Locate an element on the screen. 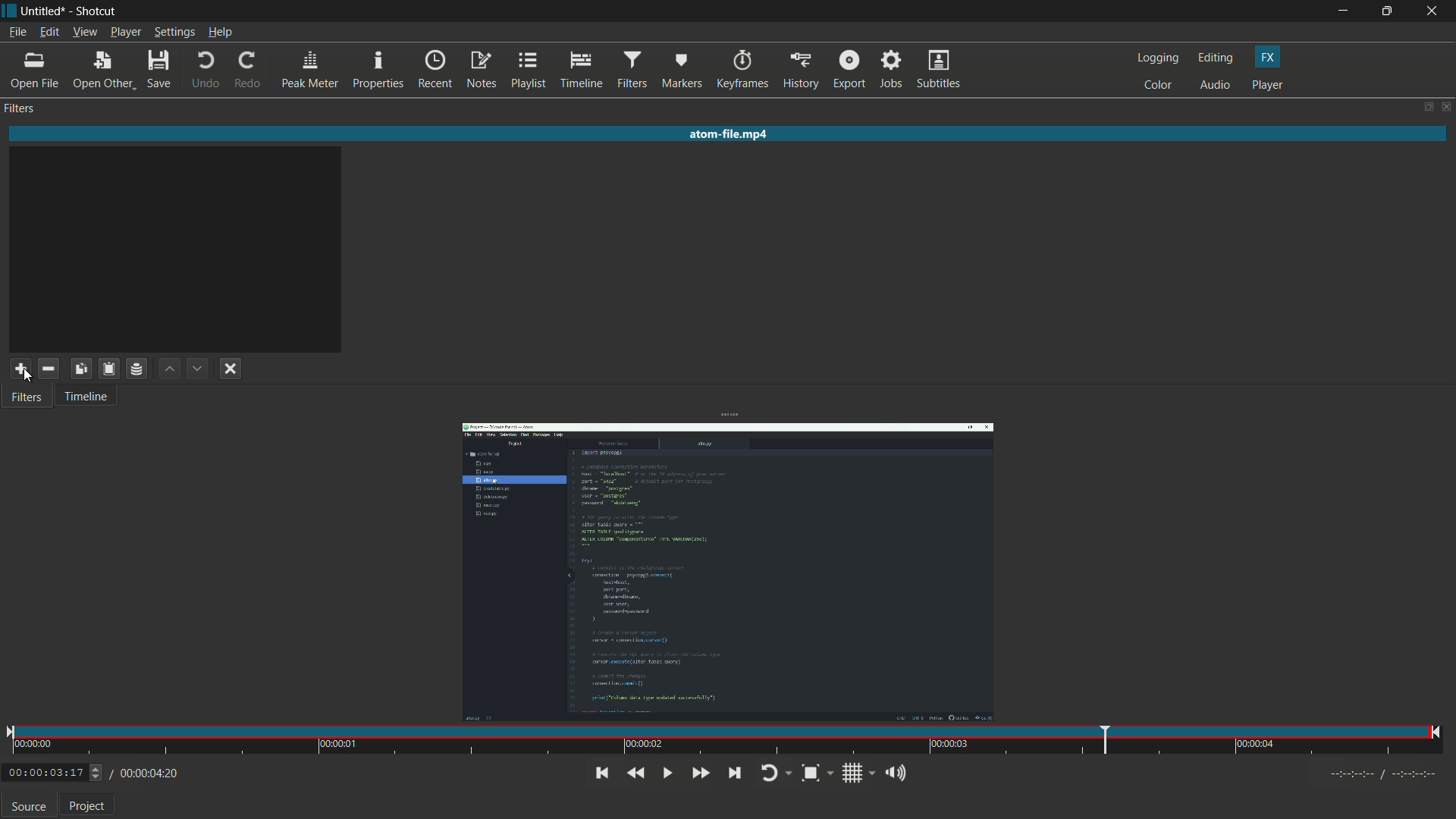 Image resolution: width=1456 pixels, height=819 pixels. filters is located at coordinates (28, 398).